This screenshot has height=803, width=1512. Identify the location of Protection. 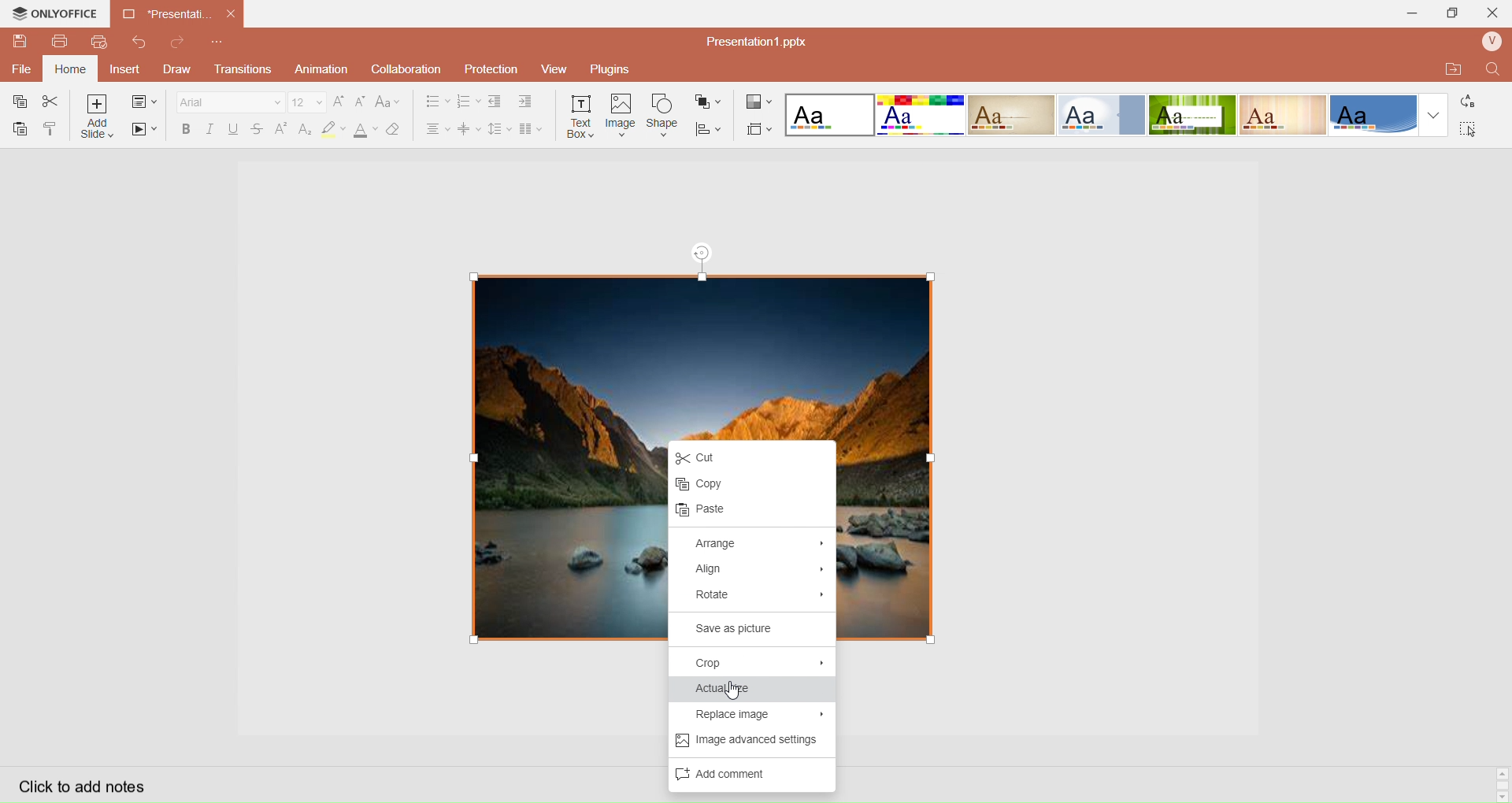
(493, 69).